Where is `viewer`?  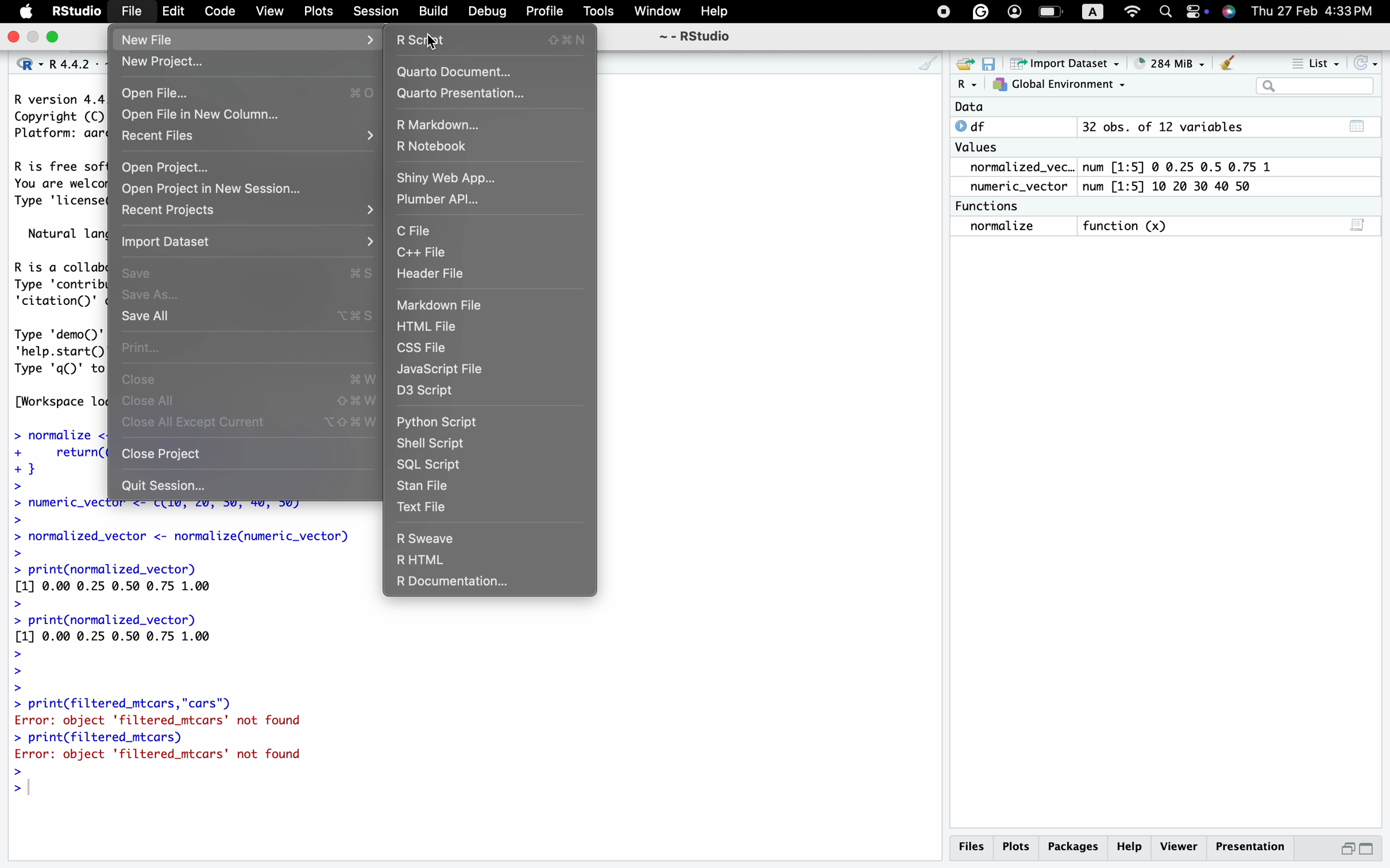
viewer is located at coordinates (1179, 846).